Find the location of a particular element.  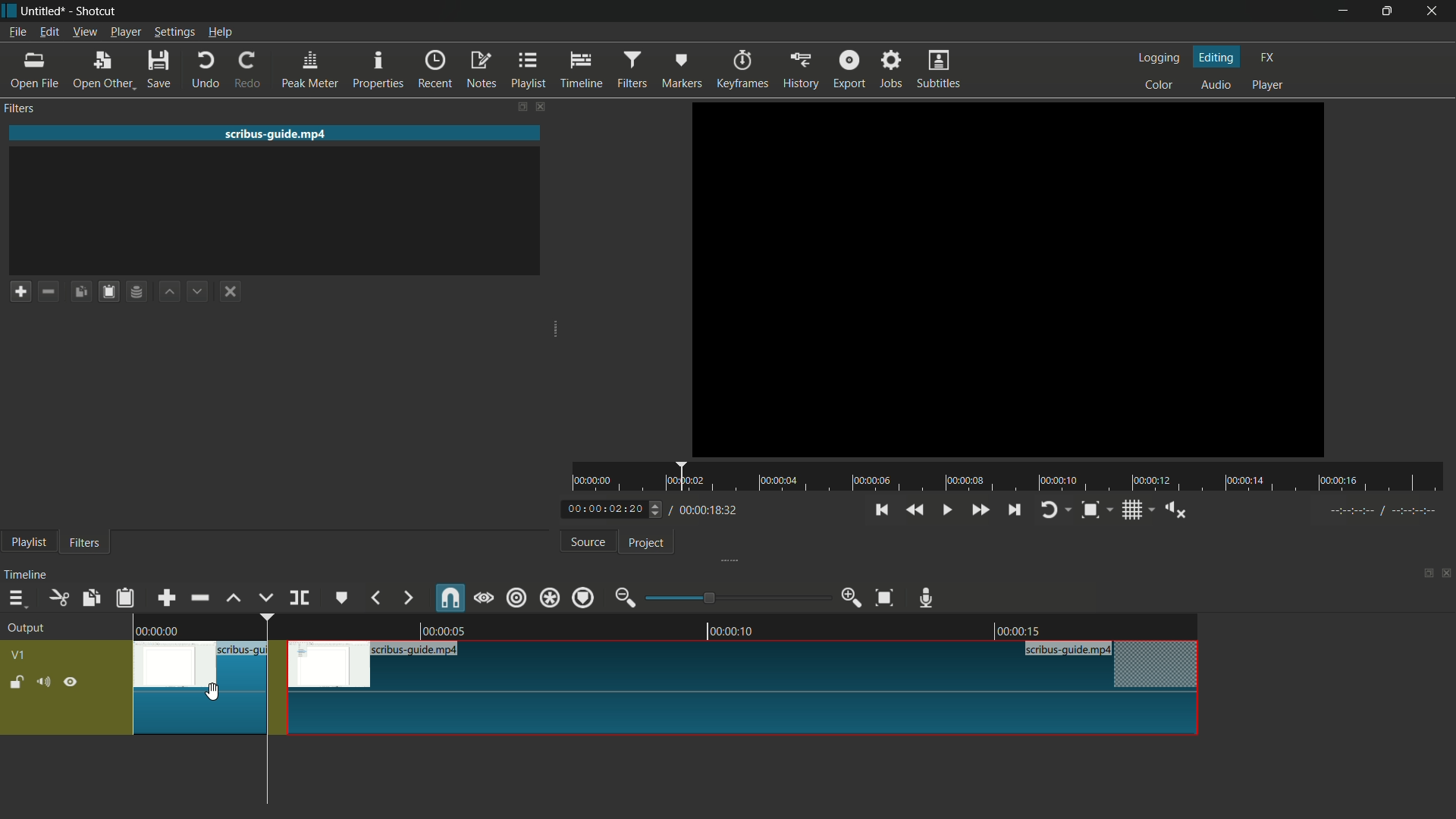

scrub while dragging is located at coordinates (483, 597).